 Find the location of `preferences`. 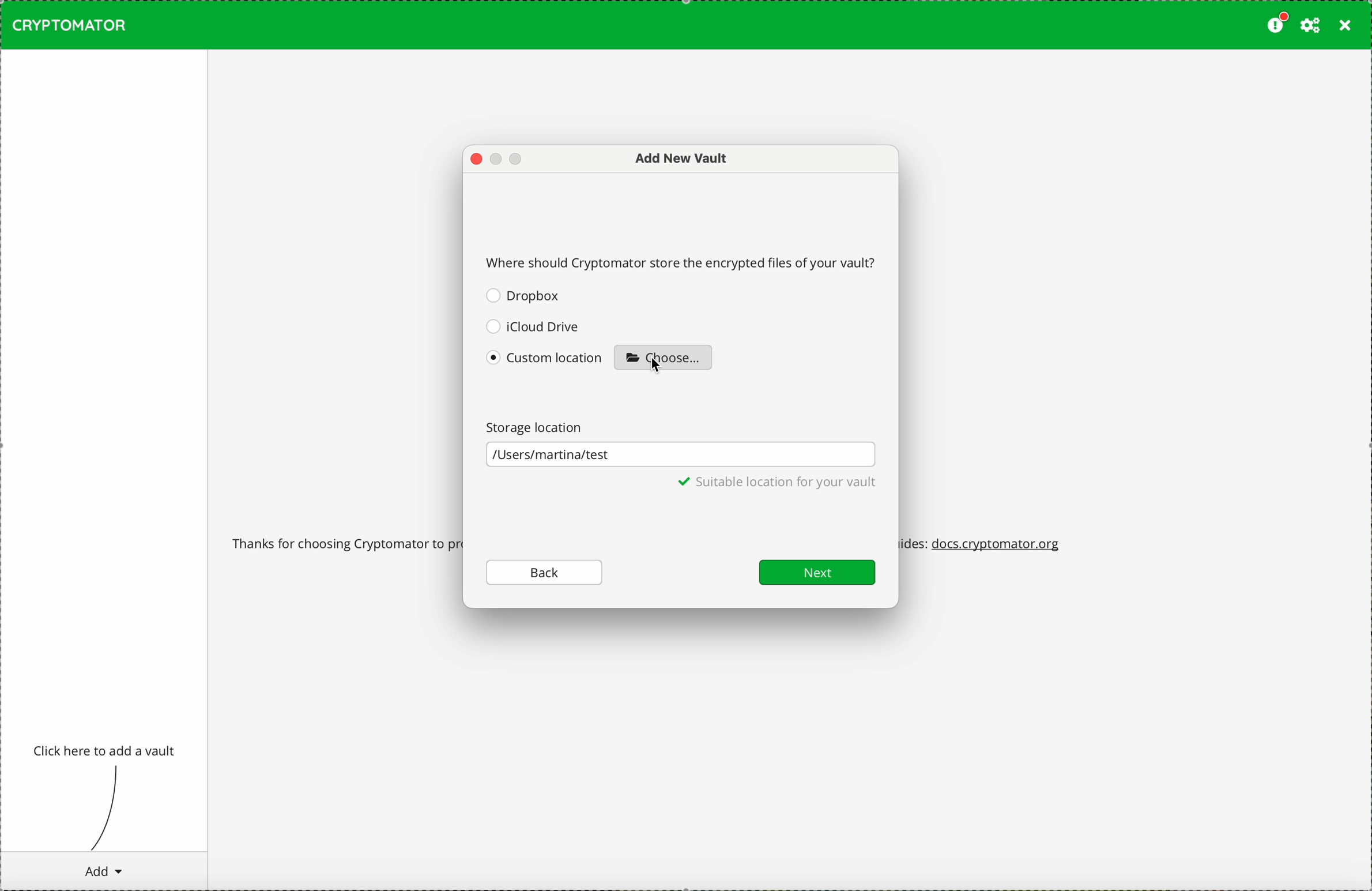

preferences is located at coordinates (1310, 25).